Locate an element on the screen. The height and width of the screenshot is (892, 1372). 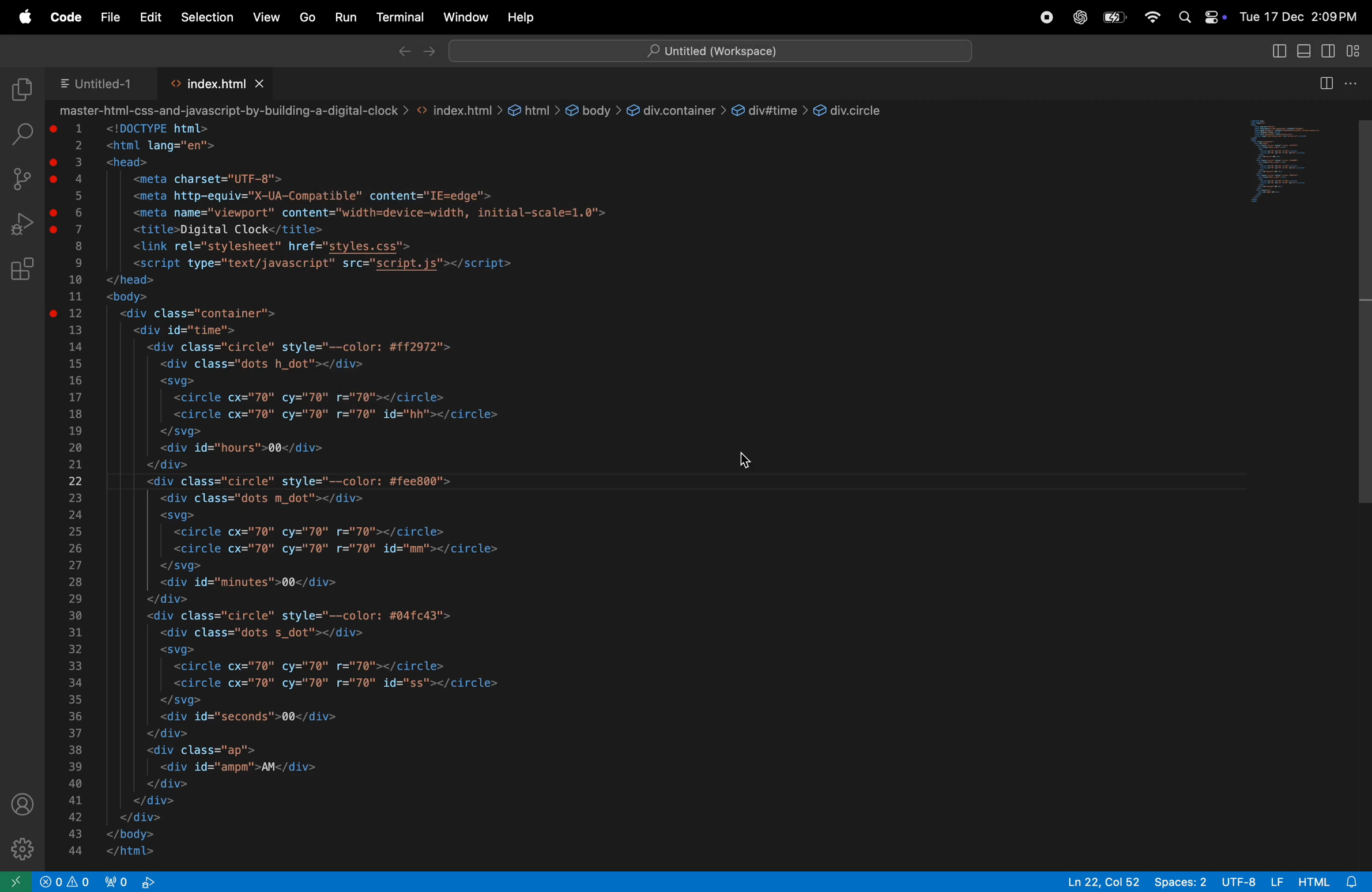
view is located at coordinates (267, 17).